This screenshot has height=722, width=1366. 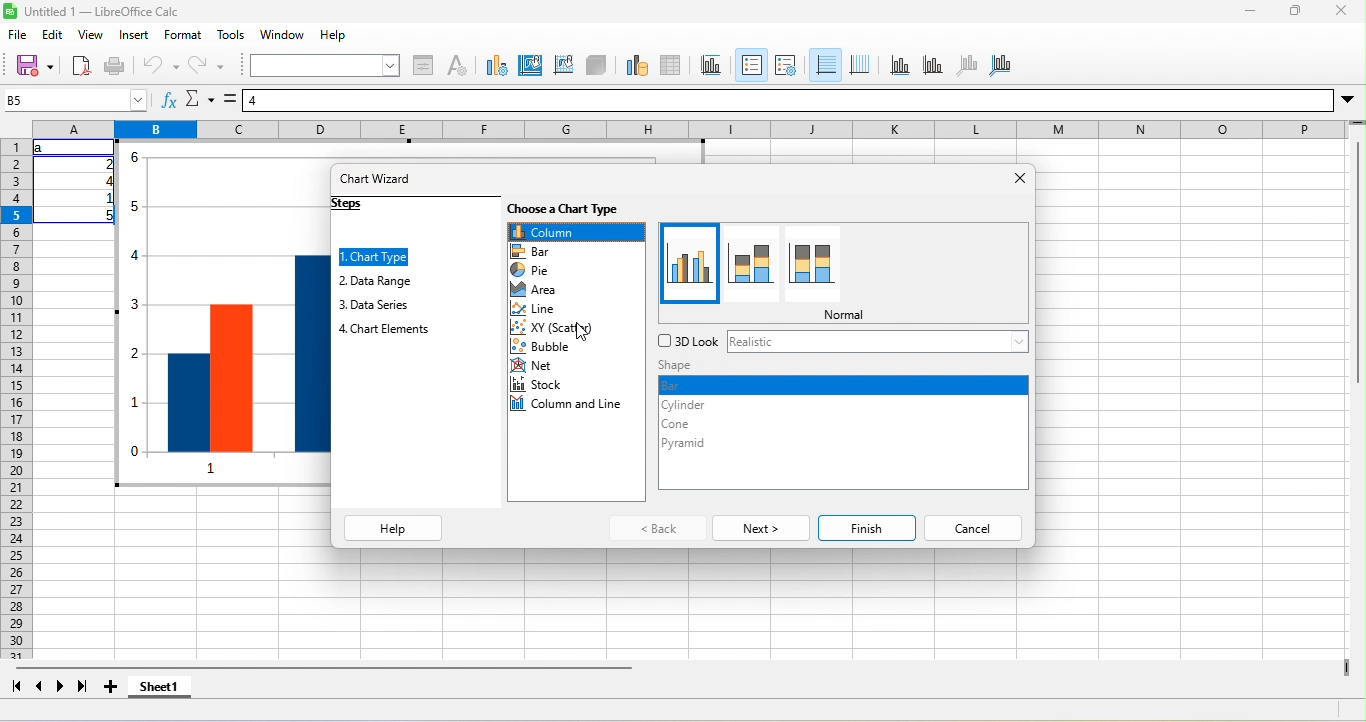 I want to click on undo, so click(x=159, y=66).